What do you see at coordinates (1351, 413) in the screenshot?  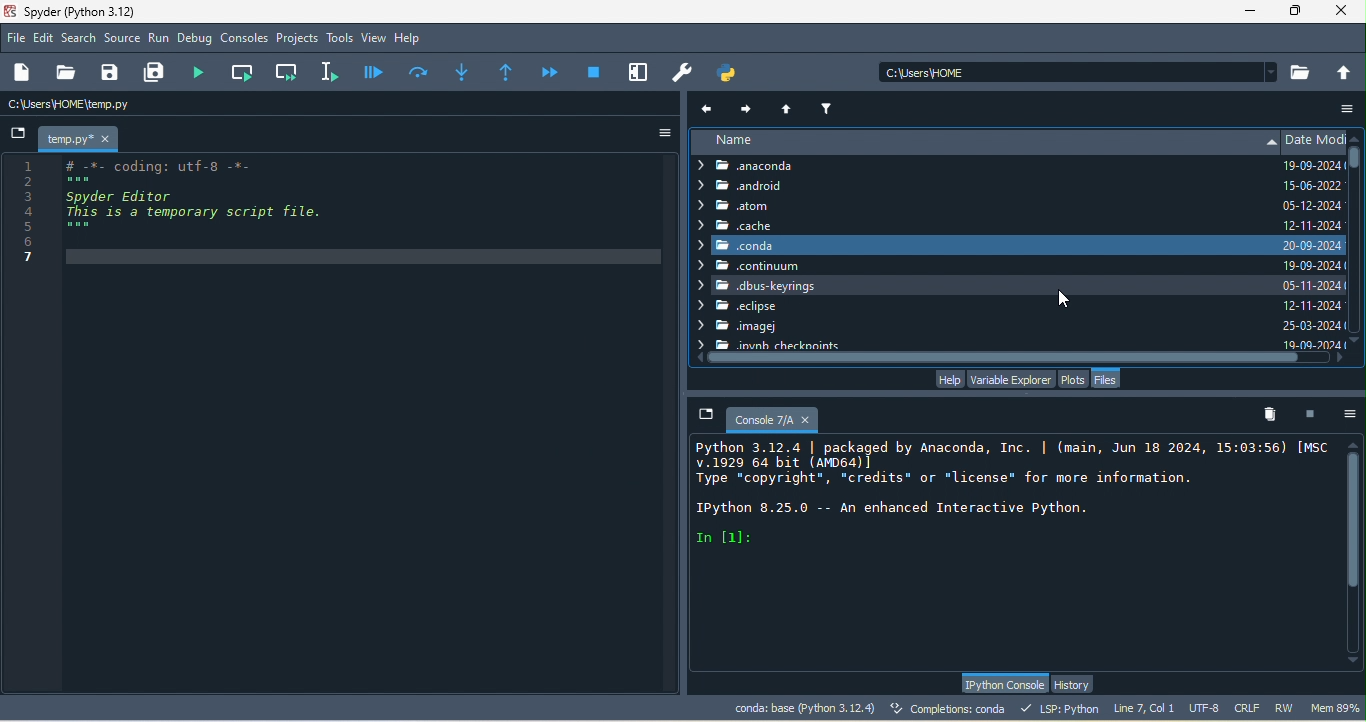 I see `options` at bounding box center [1351, 413].